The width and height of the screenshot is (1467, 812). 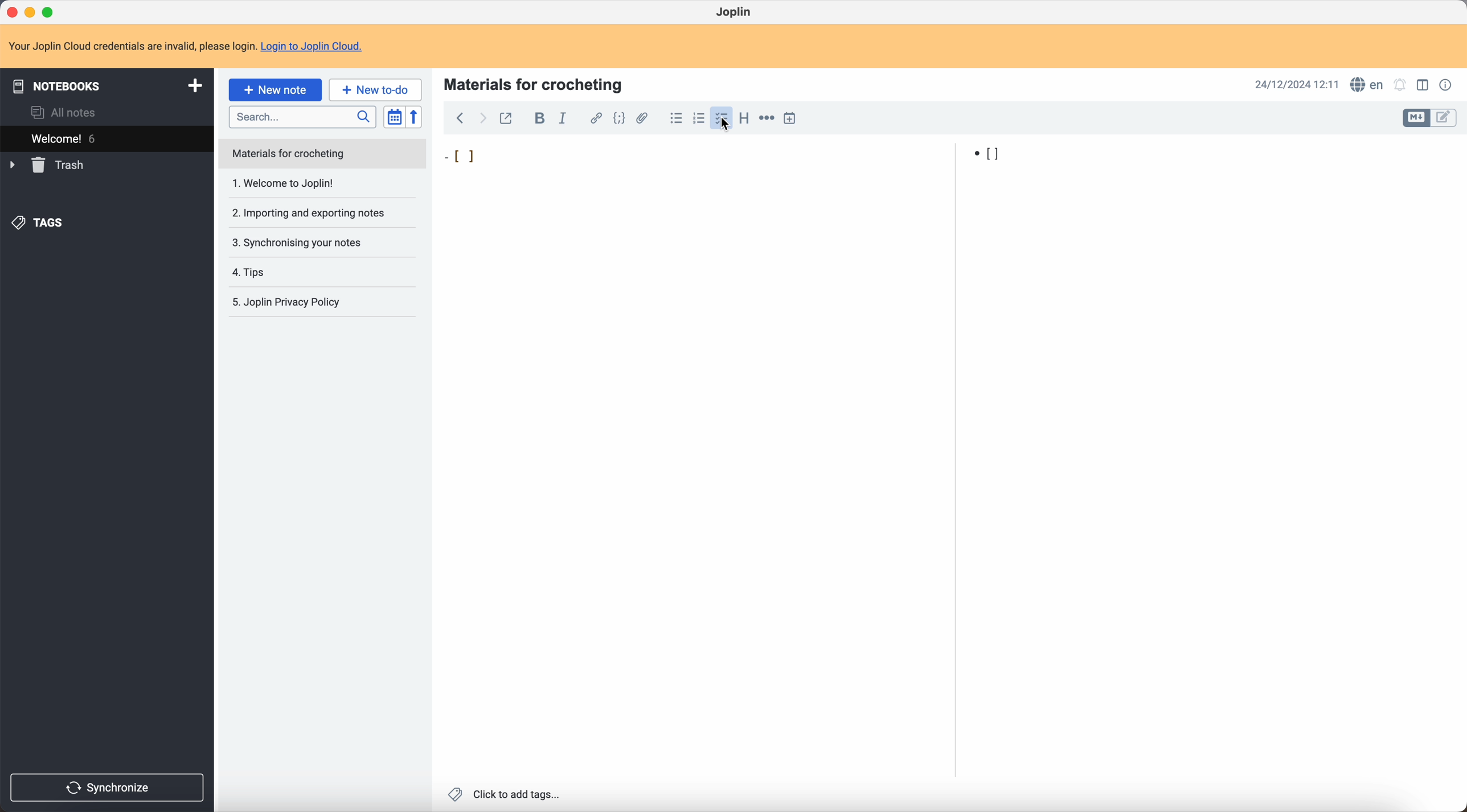 I want to click on insert time, so click(x=792, y=118).